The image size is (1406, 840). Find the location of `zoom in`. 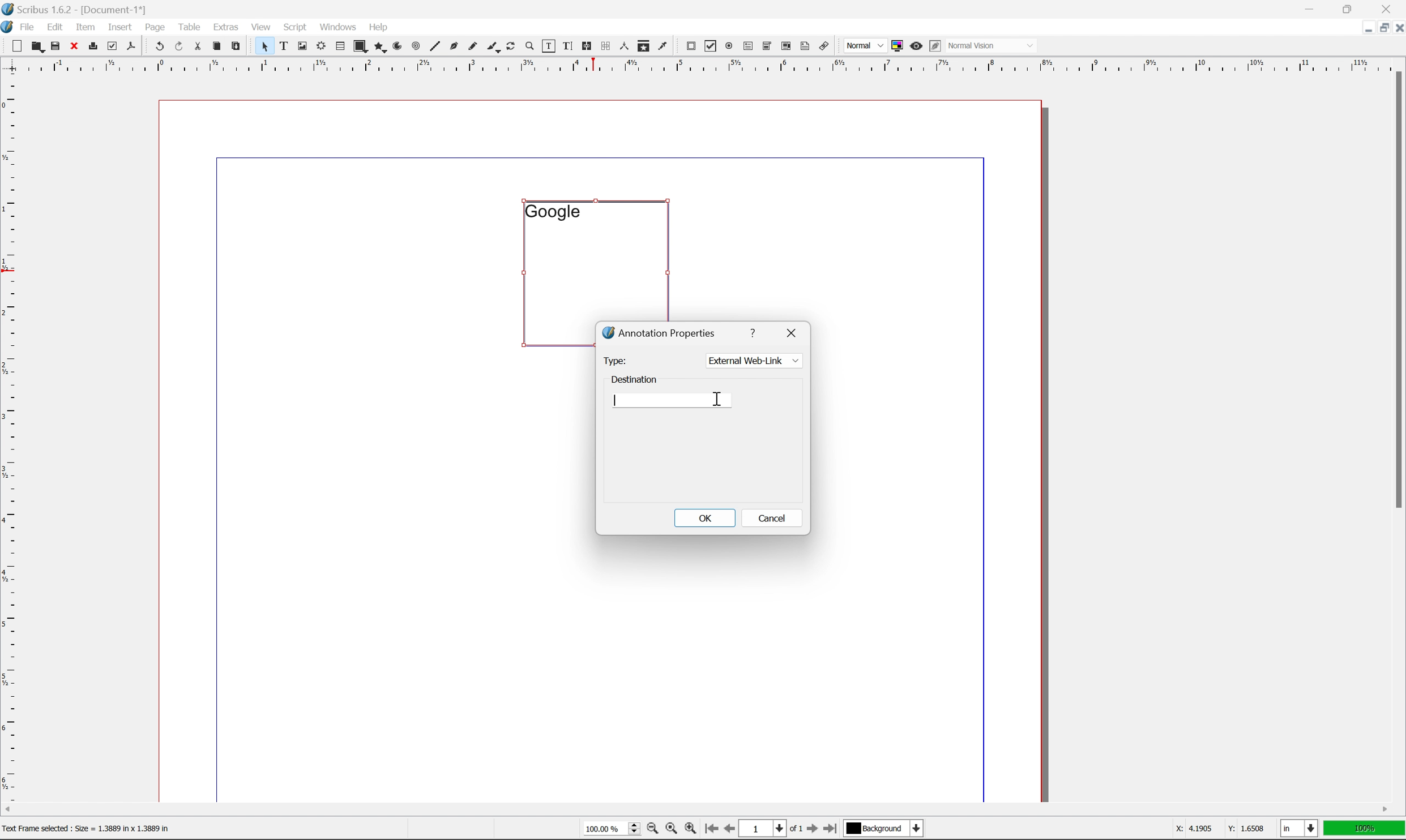

zoom in is located at coordinates (690, 829).